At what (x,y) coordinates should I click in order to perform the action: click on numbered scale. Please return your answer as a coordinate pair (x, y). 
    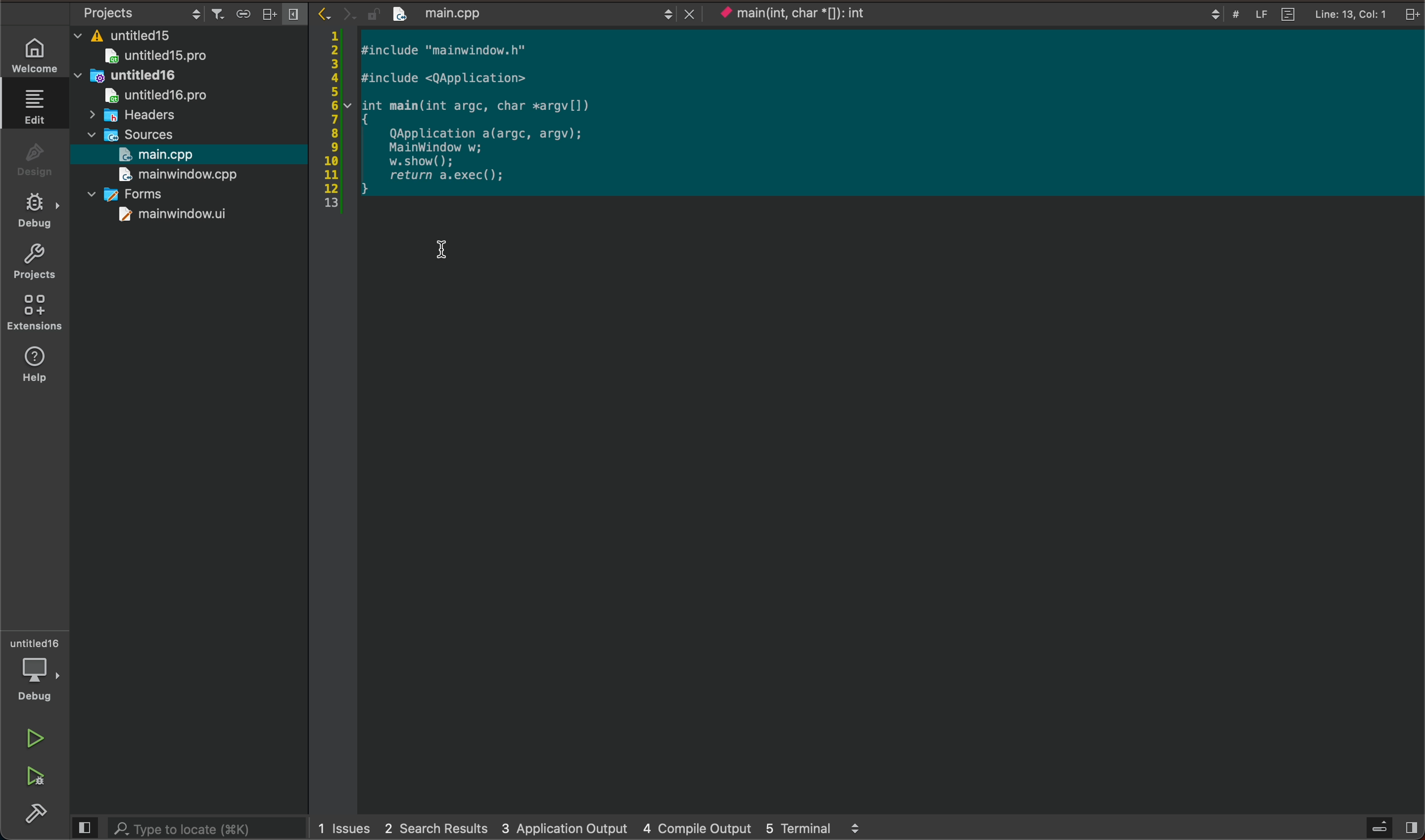
    Looking at the image, I should click on (336, 122).